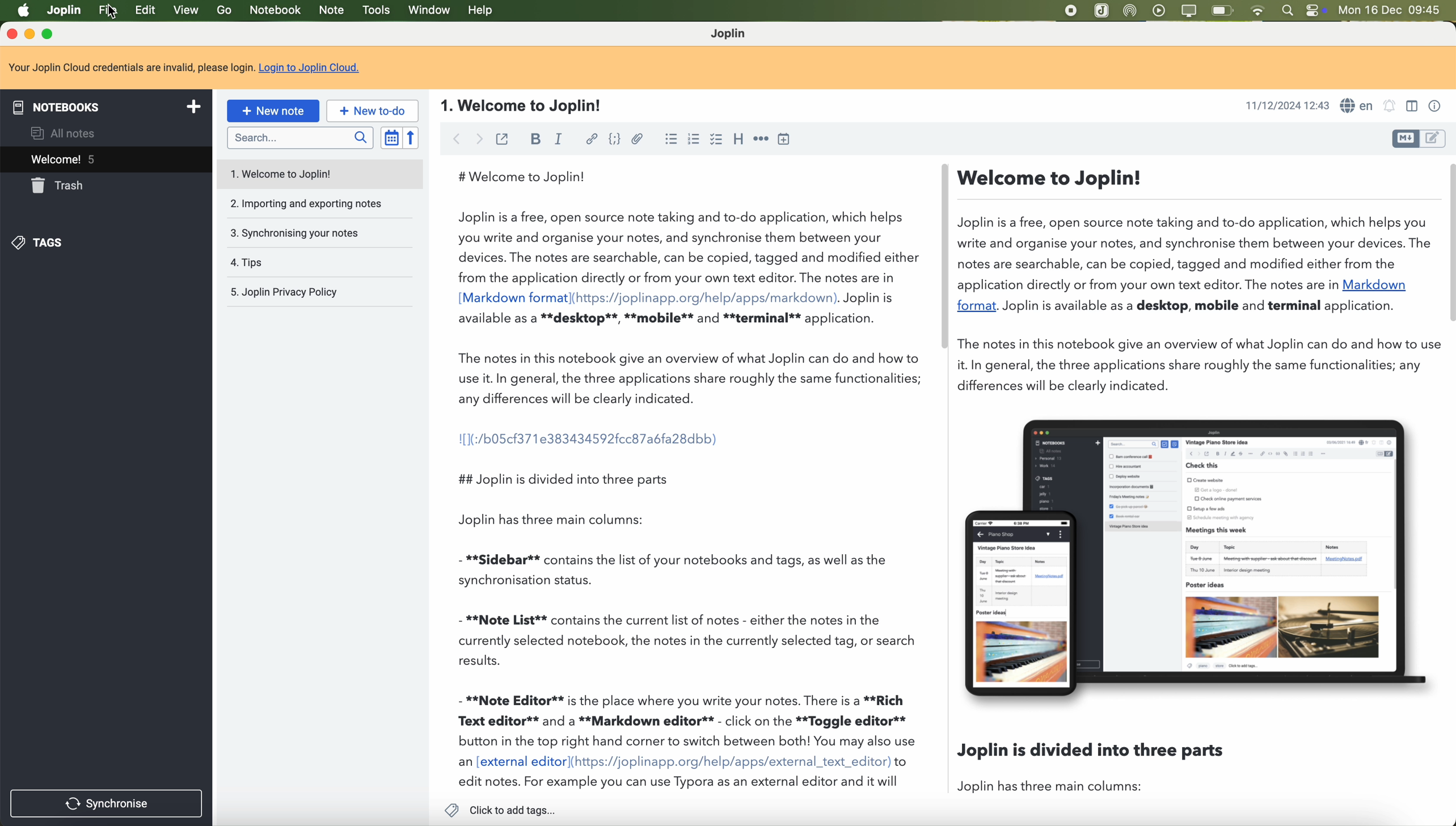 The width and height of the screenshot is (1456, 826). I want to click on window, so click(429, 11).